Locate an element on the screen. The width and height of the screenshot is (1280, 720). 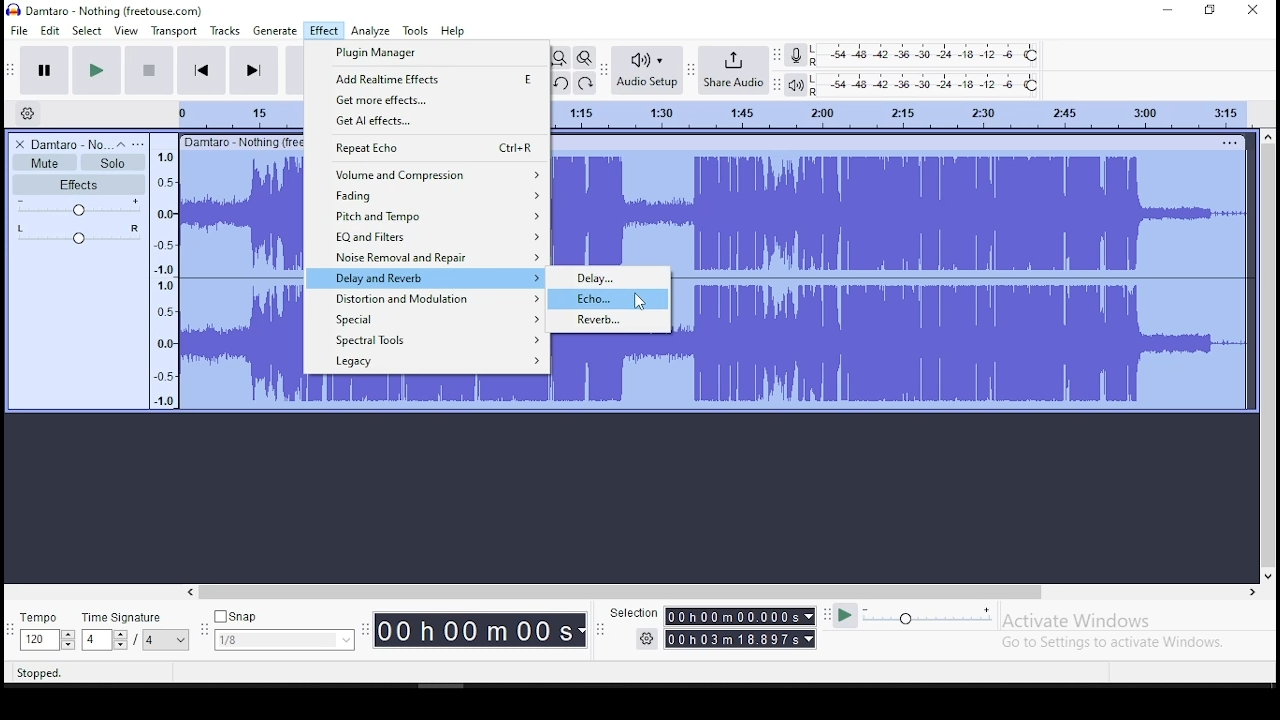
time signature is located at coordinates (133, 615).